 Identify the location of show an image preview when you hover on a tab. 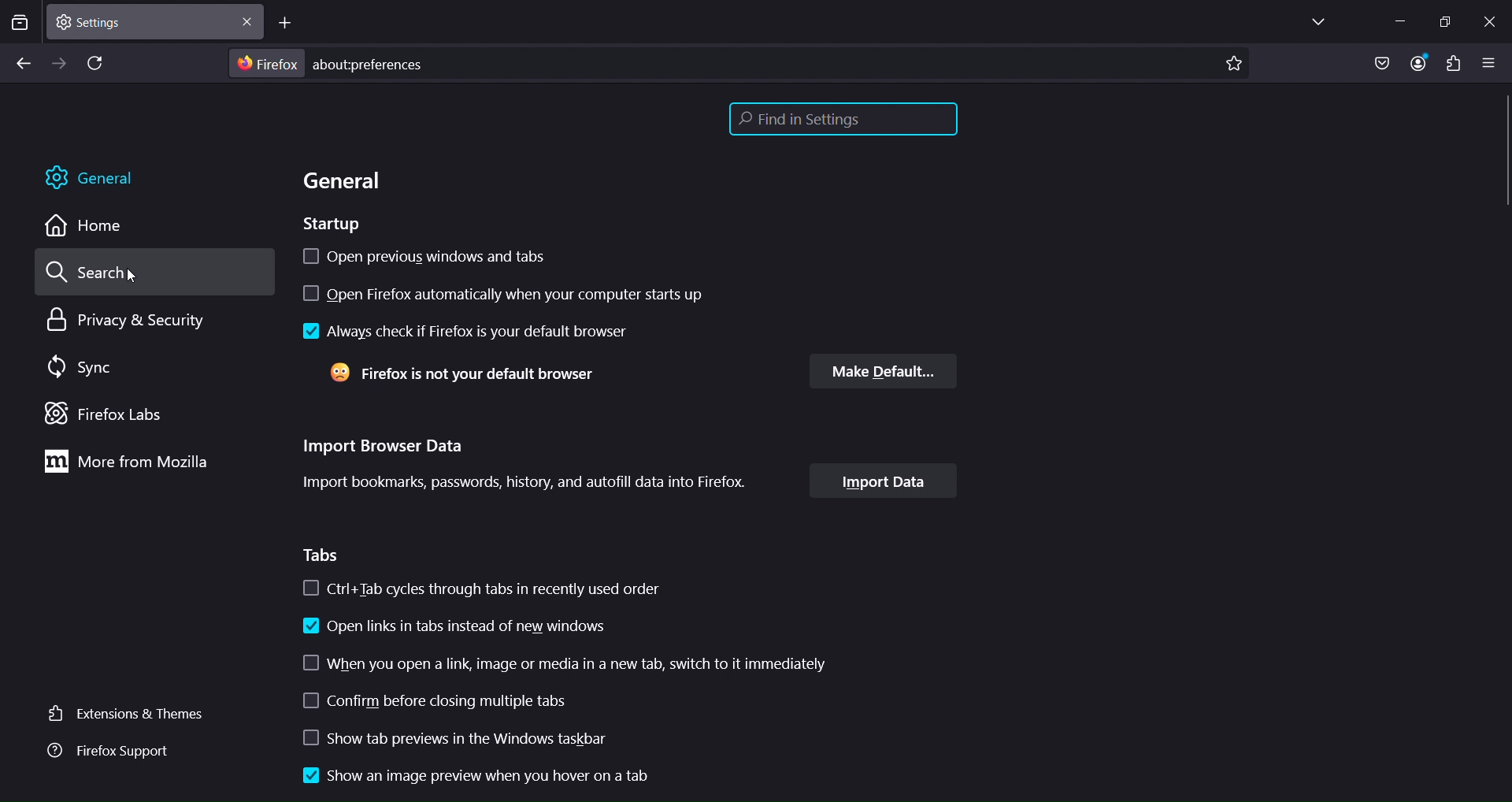
(521, 776).